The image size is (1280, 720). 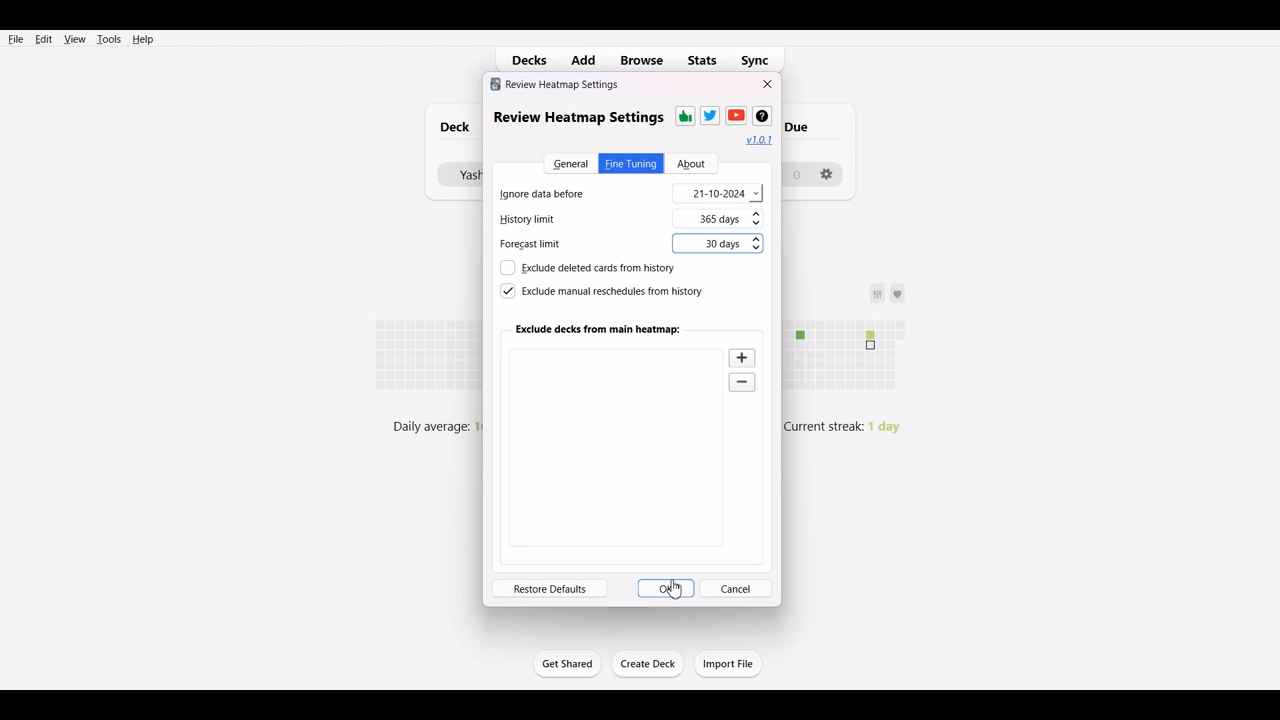 What do you see at coordinates (649, 664) in the screenshot?
I see `Create Deck` at bounding box center [649, 664].